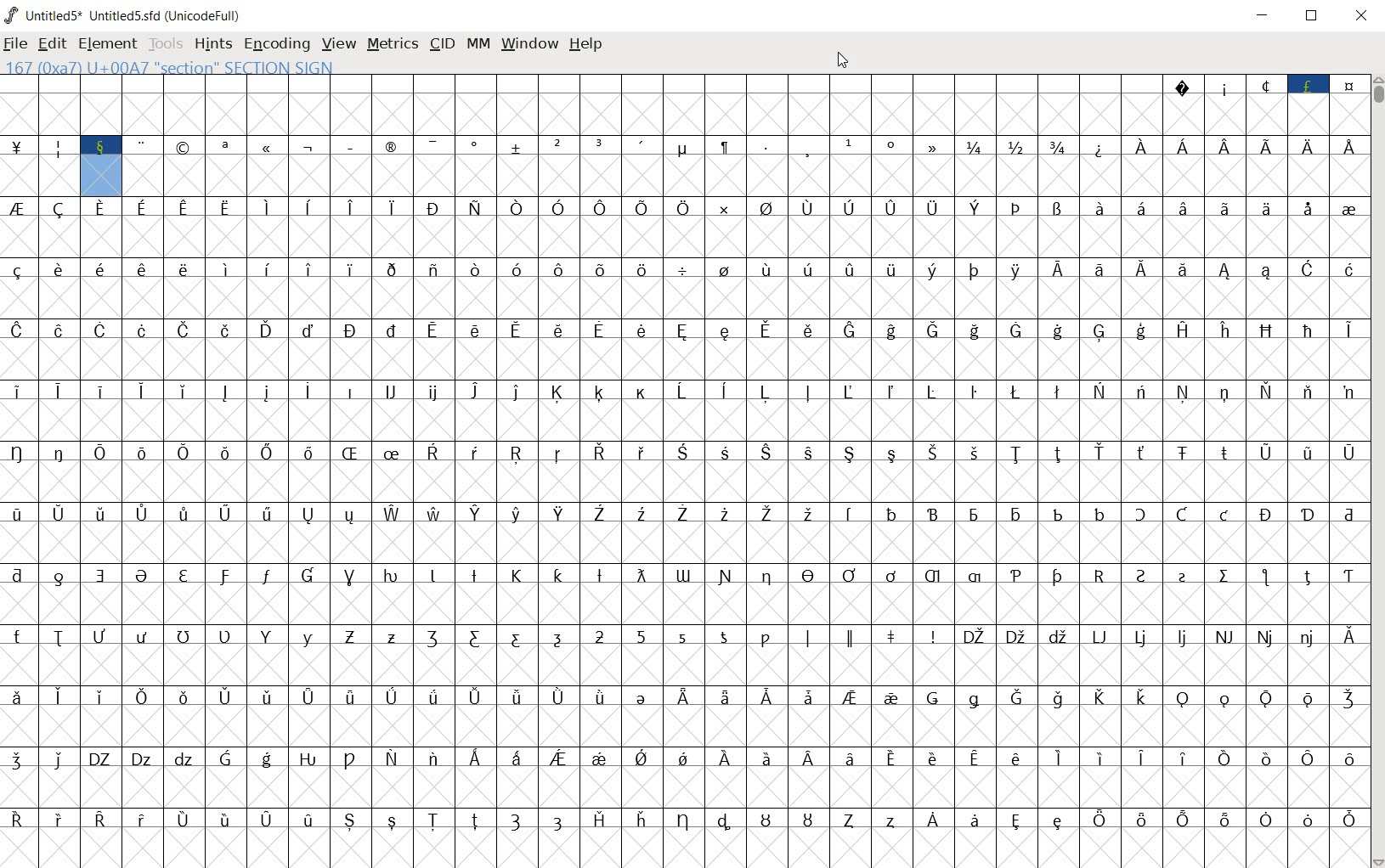 This screenshot has width=1385, height=868. I want to click on accented alphabet, so click(432, 286).